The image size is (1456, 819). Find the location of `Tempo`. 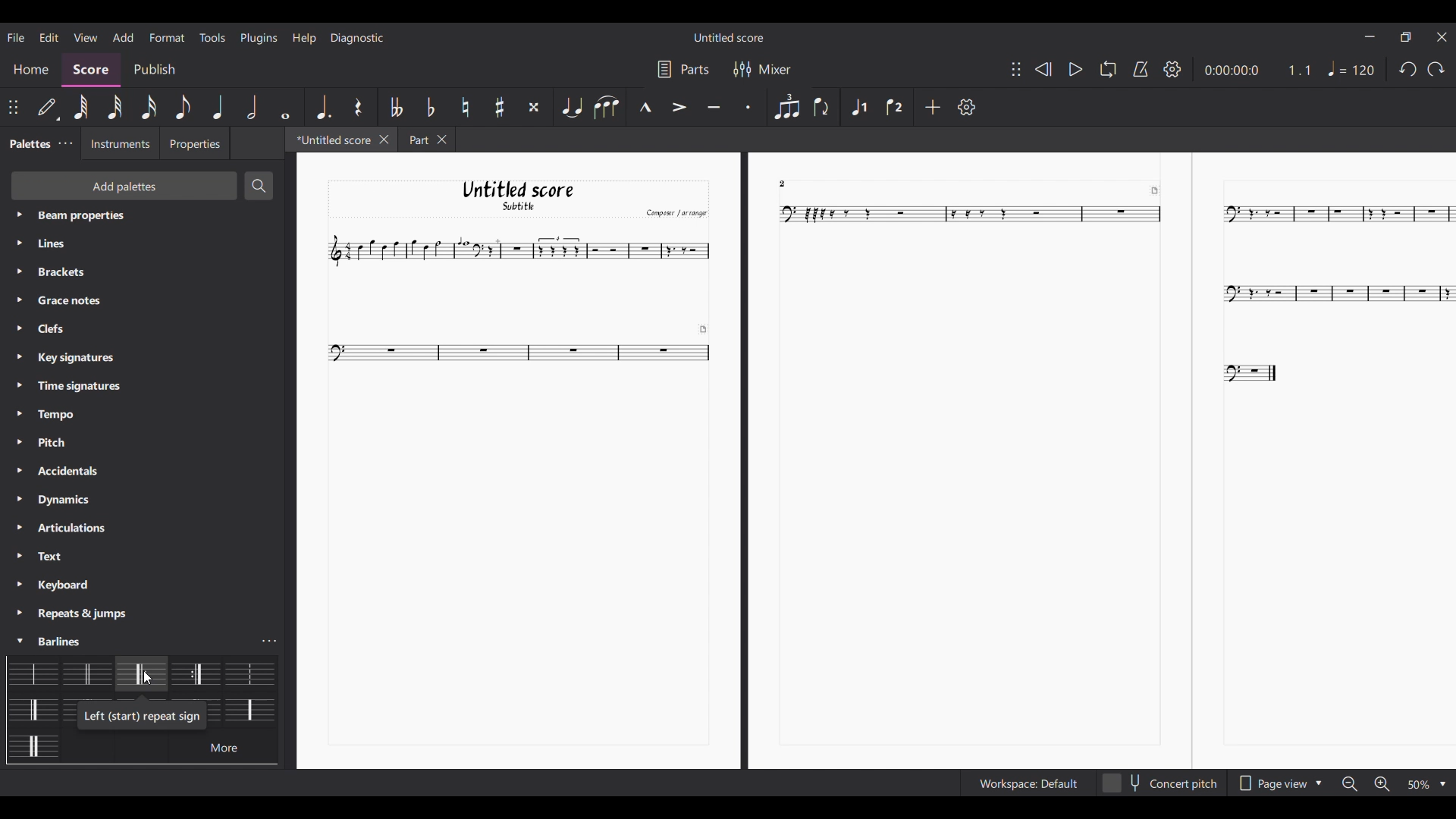

Tempo is located at coordinates (1351, 68).